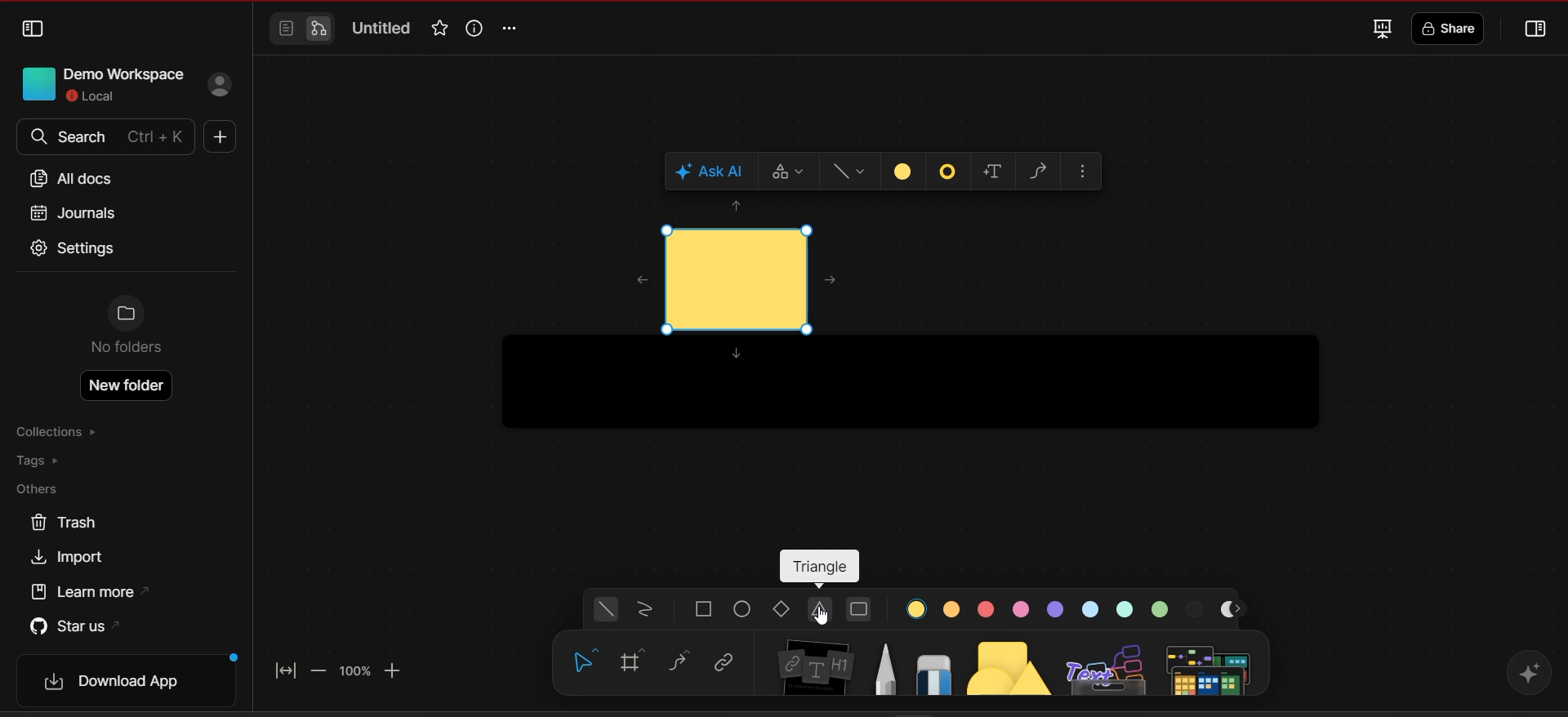 This screenshot has height=717, width=1568. I want to click on style, so click(846, 171).